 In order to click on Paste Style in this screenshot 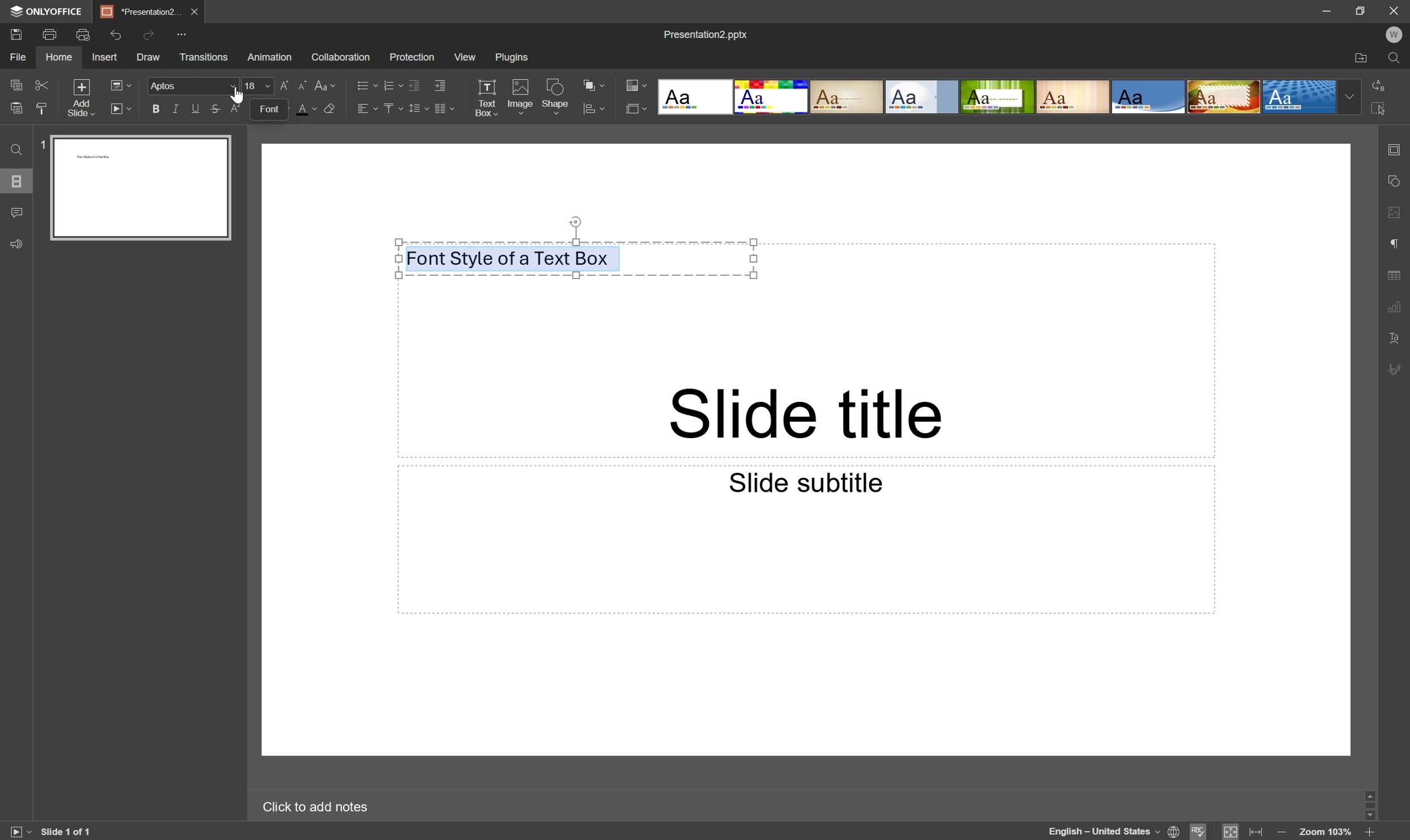, I will do `click(43, 108)`.